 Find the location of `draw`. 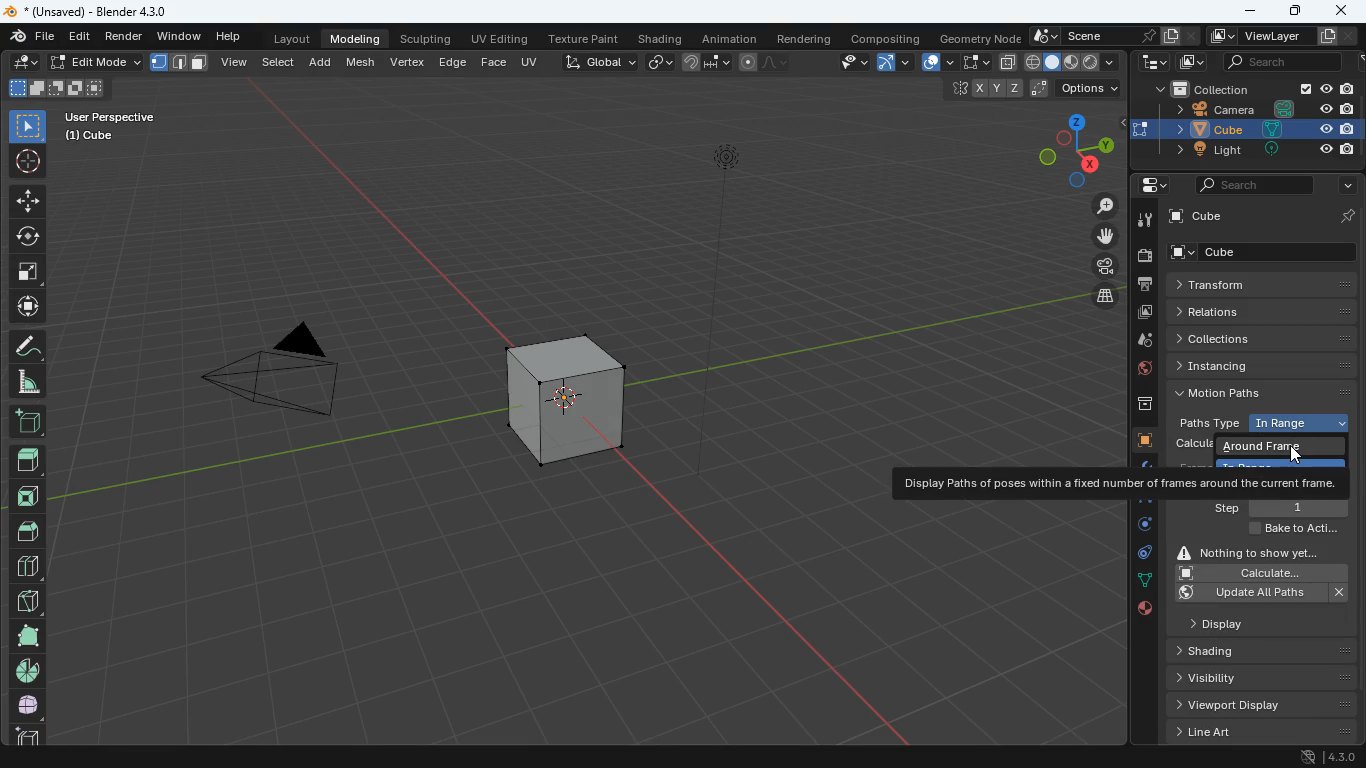

draw is located at coordinates (761, 62).